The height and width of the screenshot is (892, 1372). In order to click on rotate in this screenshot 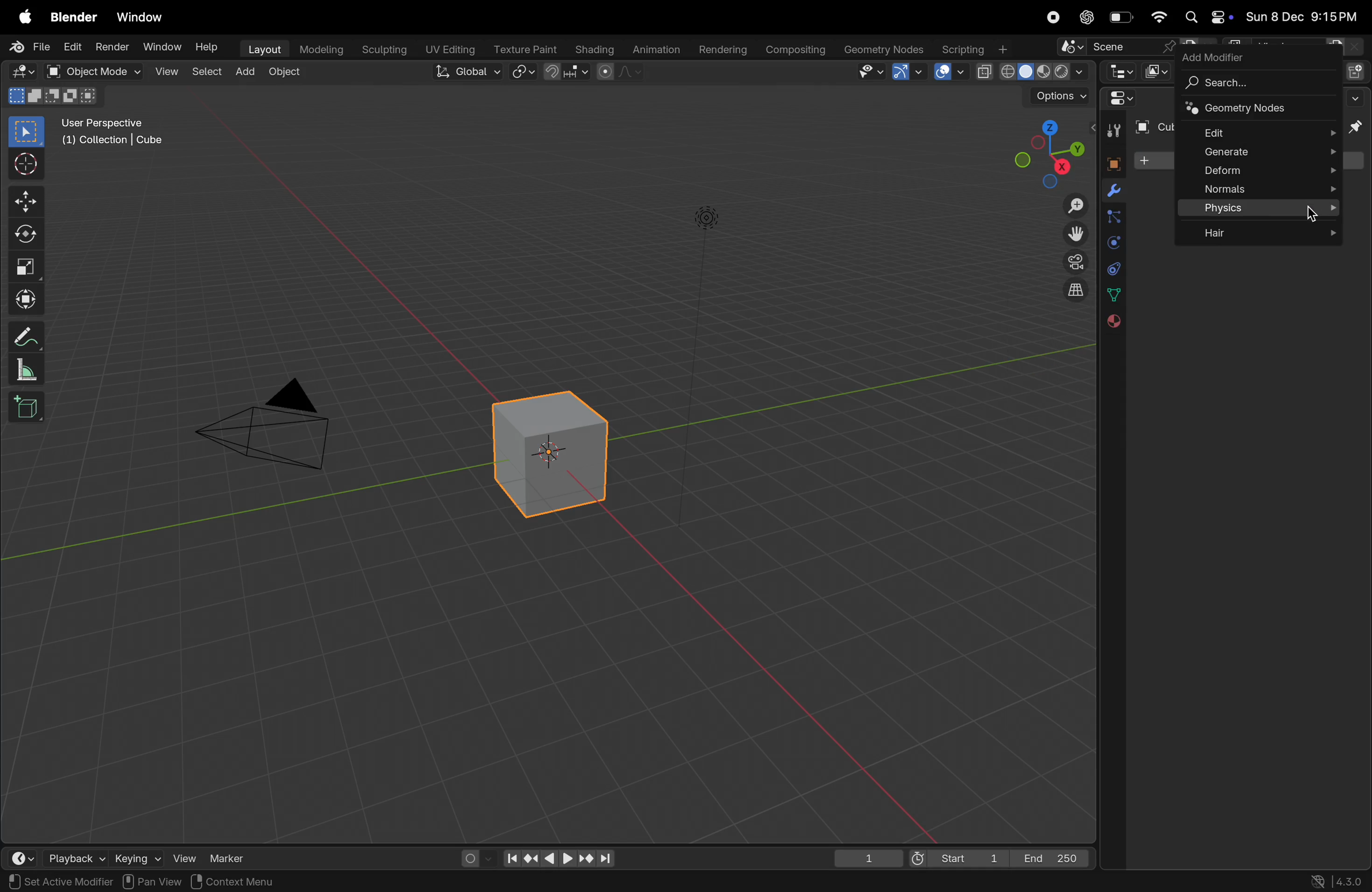, I will do `click(26, 236)`.